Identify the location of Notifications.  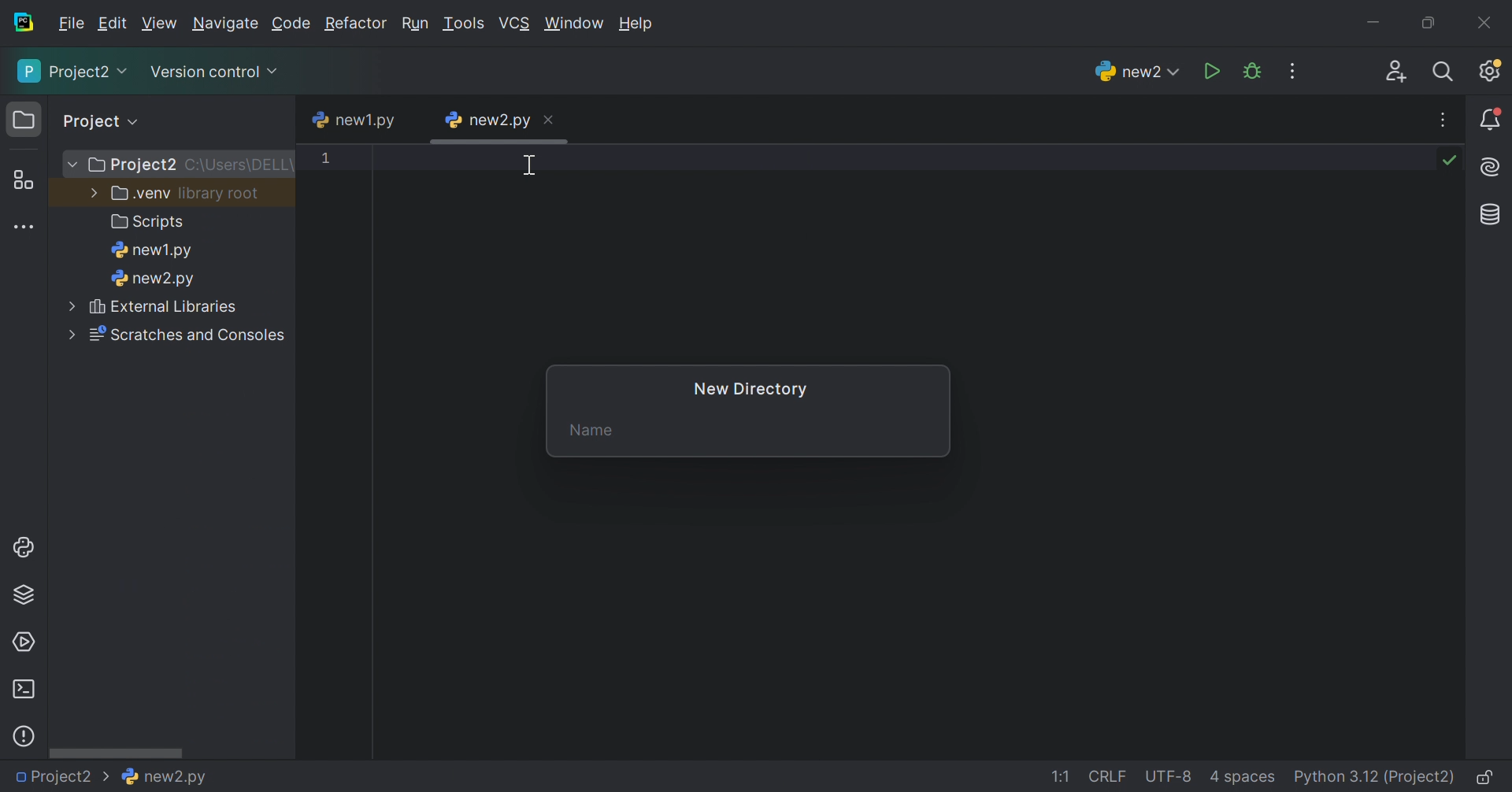
(1493, 119).